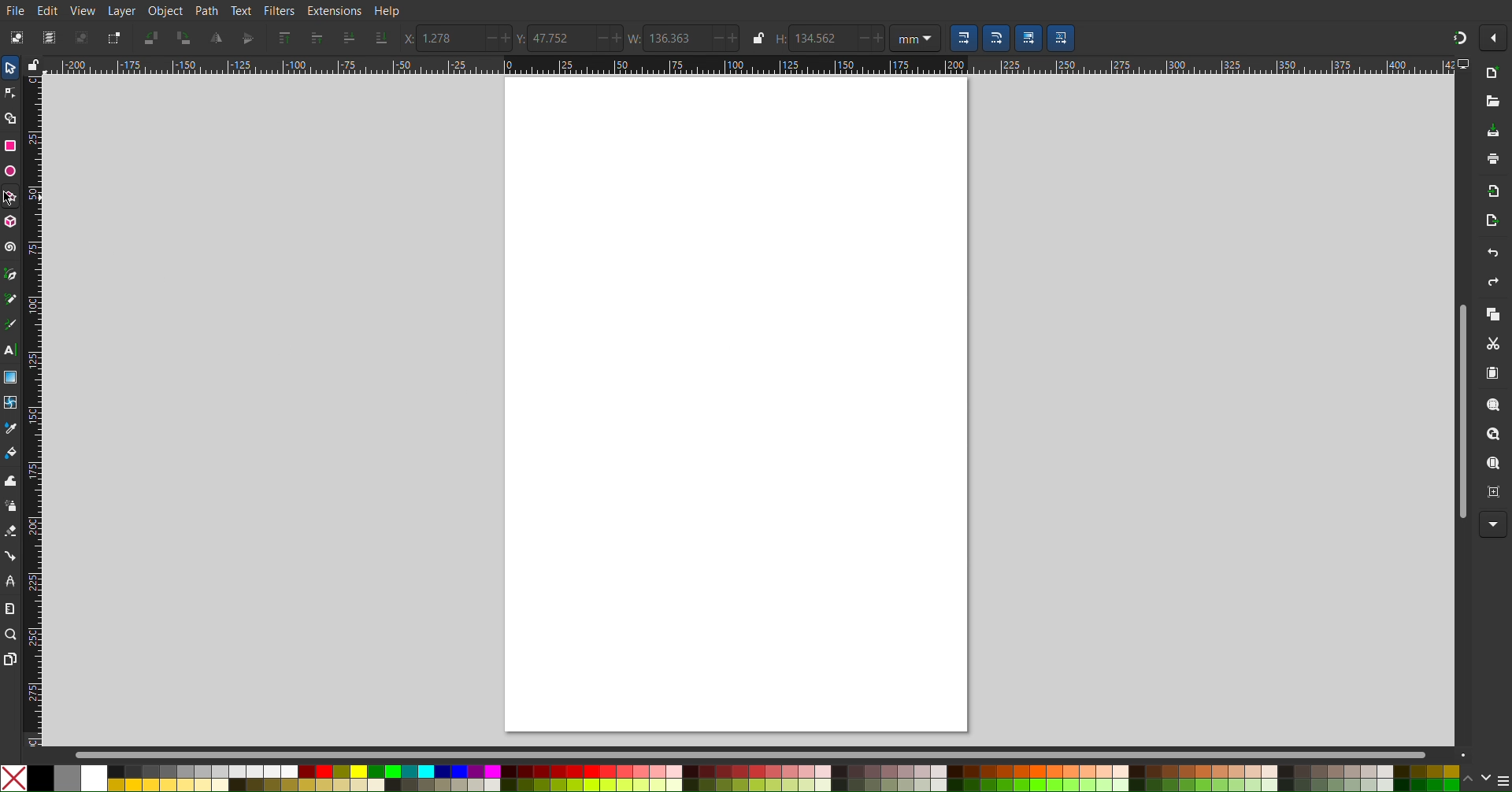 This screenshot has height=792, width=1512. Describe the element at coordinates (11, 403) in the screenshot. I see `Mesh Tool` at that location.